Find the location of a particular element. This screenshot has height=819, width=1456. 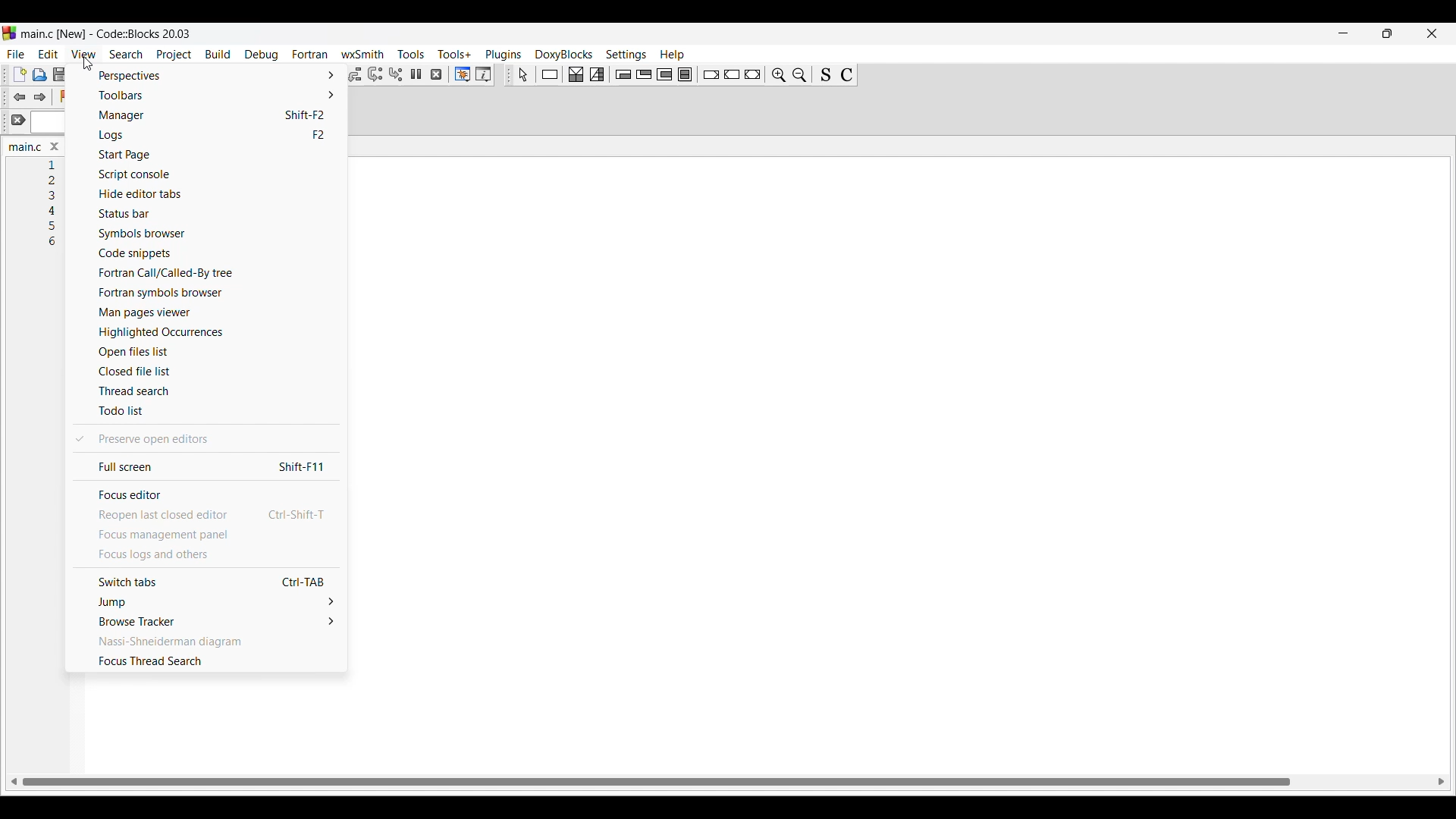

Minimize is located at coordinates (1343, 33).